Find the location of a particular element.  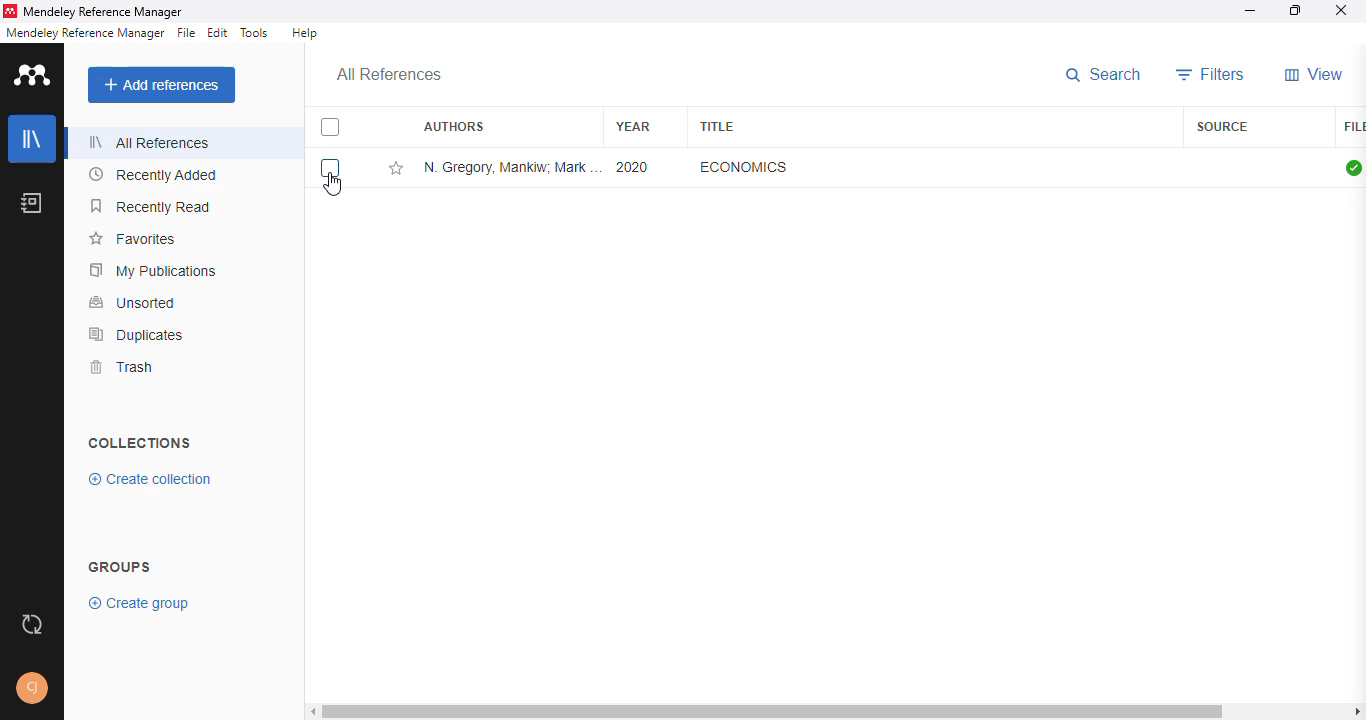

authors is located at coordinates (454, 125).